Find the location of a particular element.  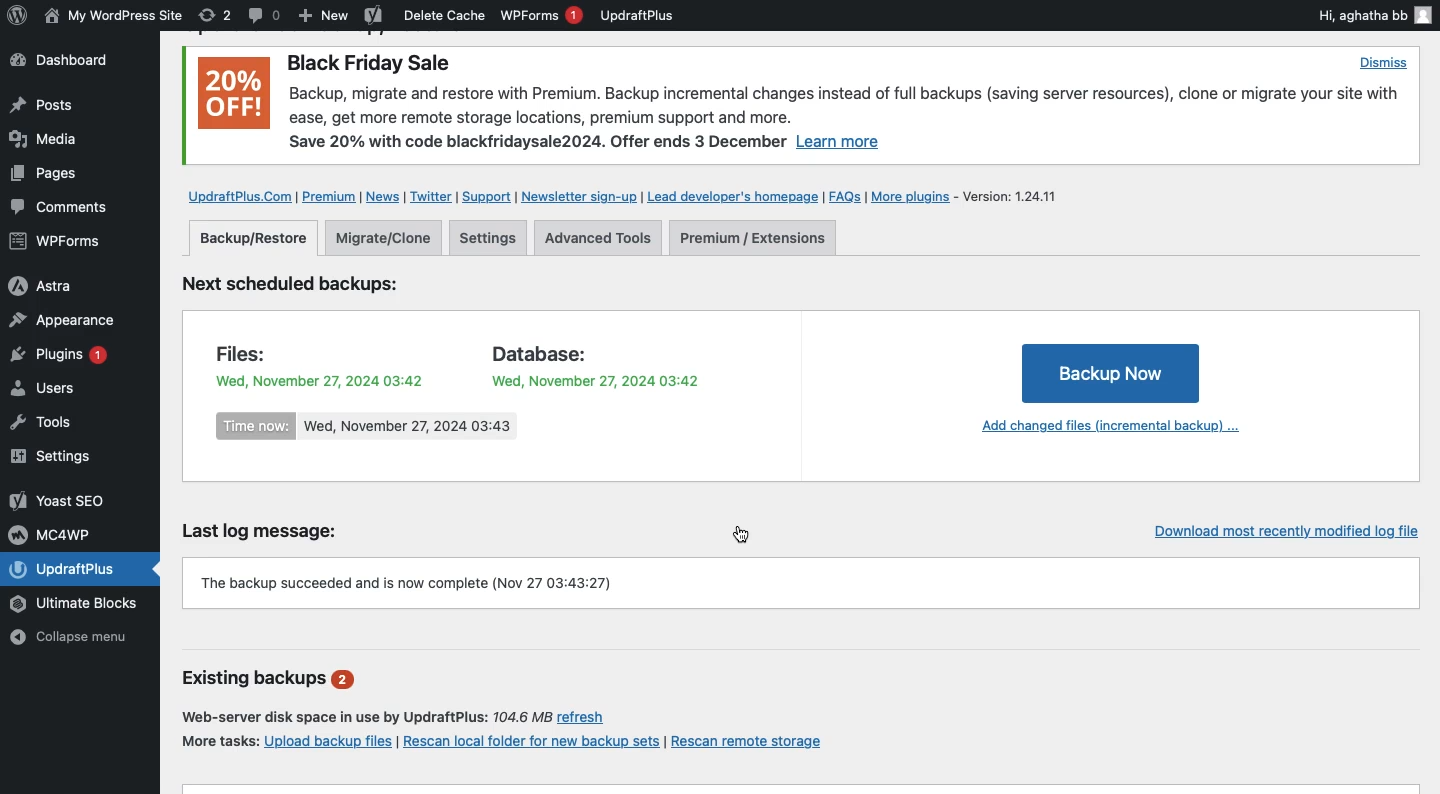

Add changed files (incremental backup)... is located at coordinates (1105, 429).